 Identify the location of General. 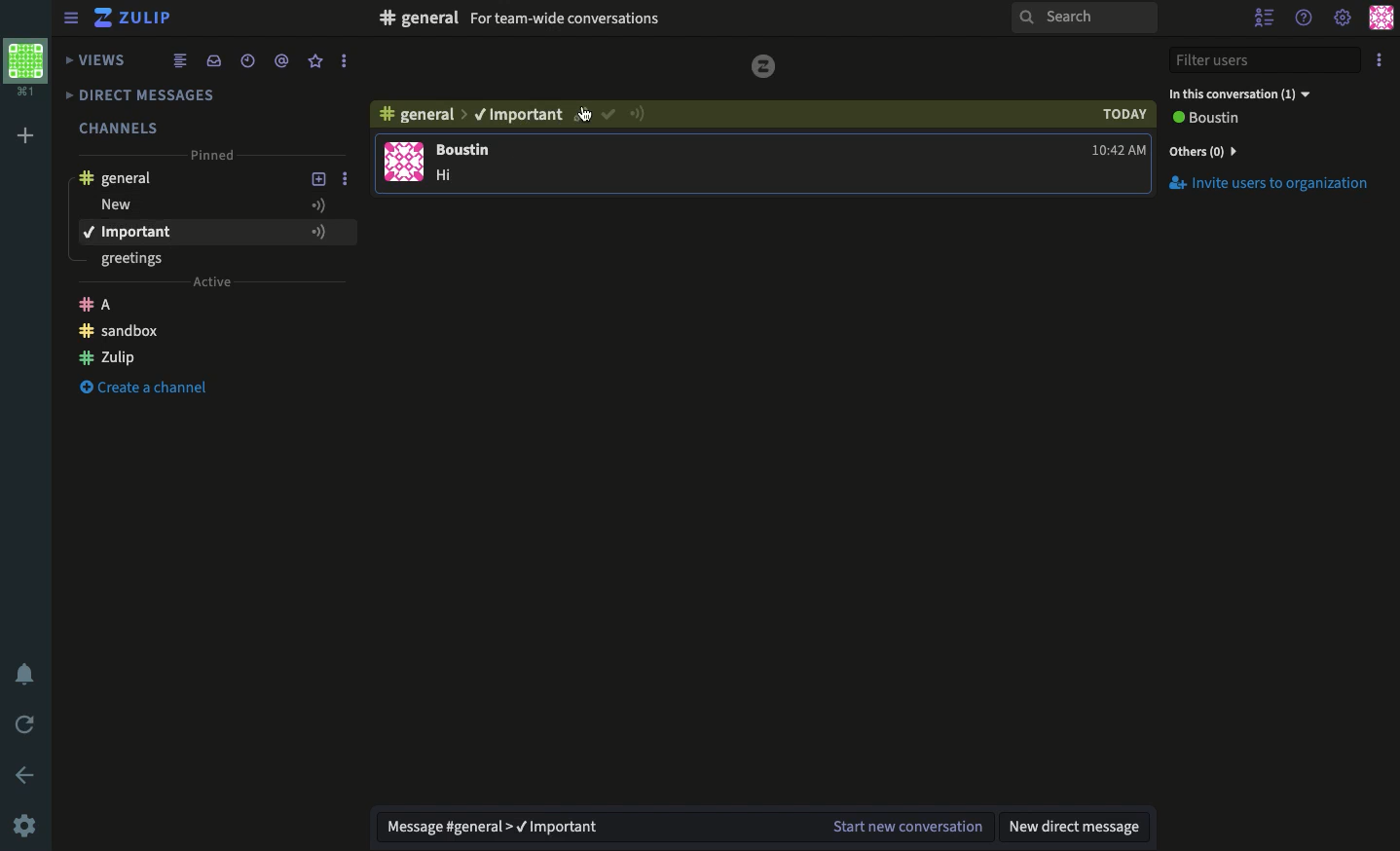
(125, 177).